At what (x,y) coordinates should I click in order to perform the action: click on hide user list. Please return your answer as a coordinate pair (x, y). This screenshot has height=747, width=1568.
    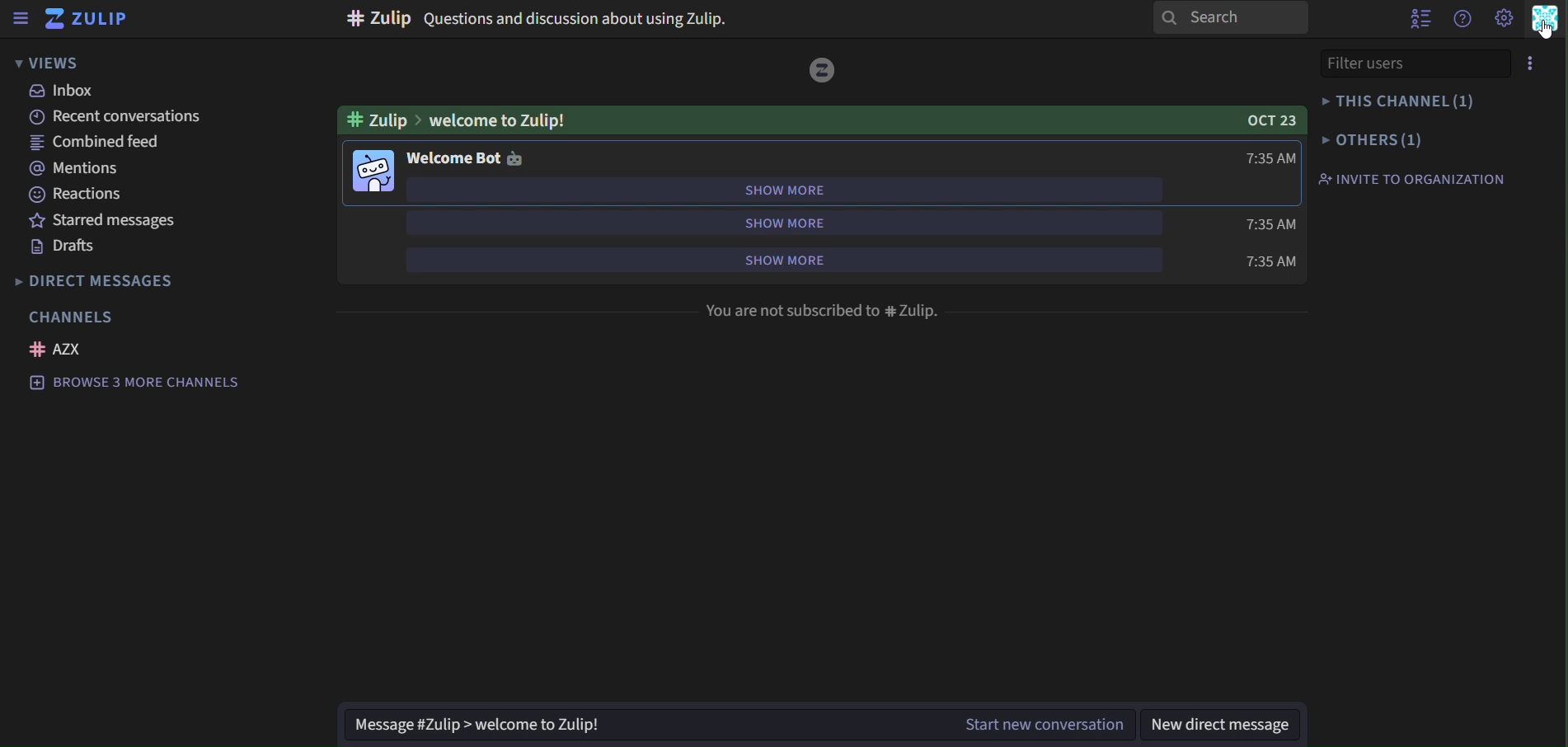
    Looking at the image, I should click on (1418, 20).